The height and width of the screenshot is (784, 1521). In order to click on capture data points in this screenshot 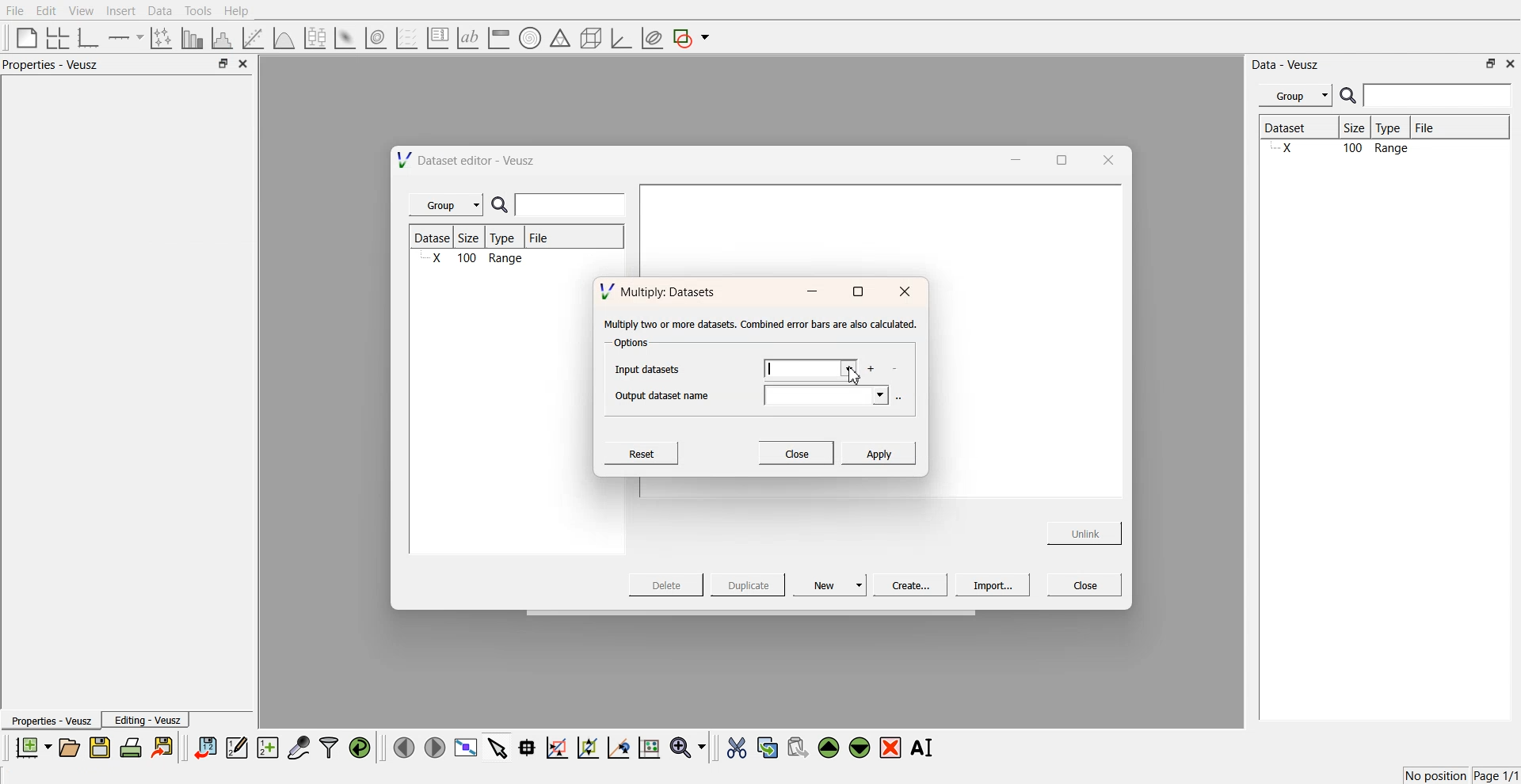, I will do `click(299, 748)`.